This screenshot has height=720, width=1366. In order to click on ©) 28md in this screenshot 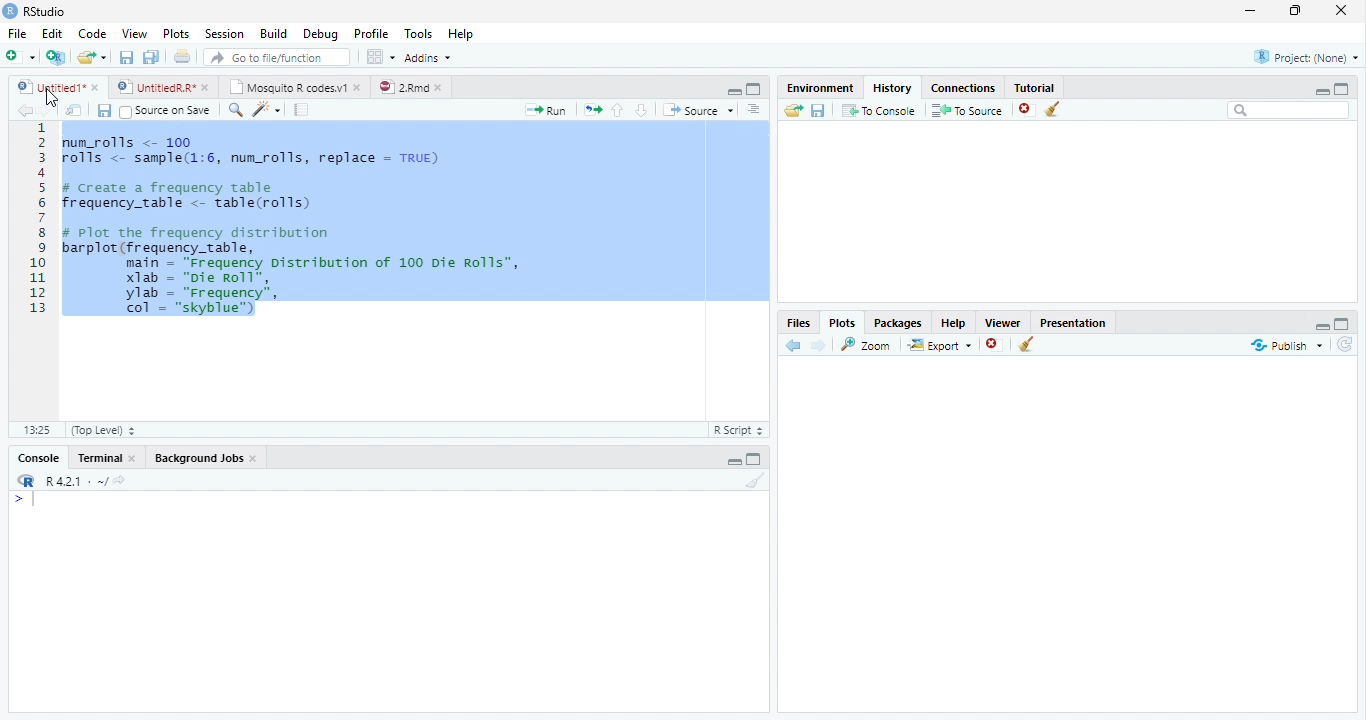, I will do `click(410, 87)`.